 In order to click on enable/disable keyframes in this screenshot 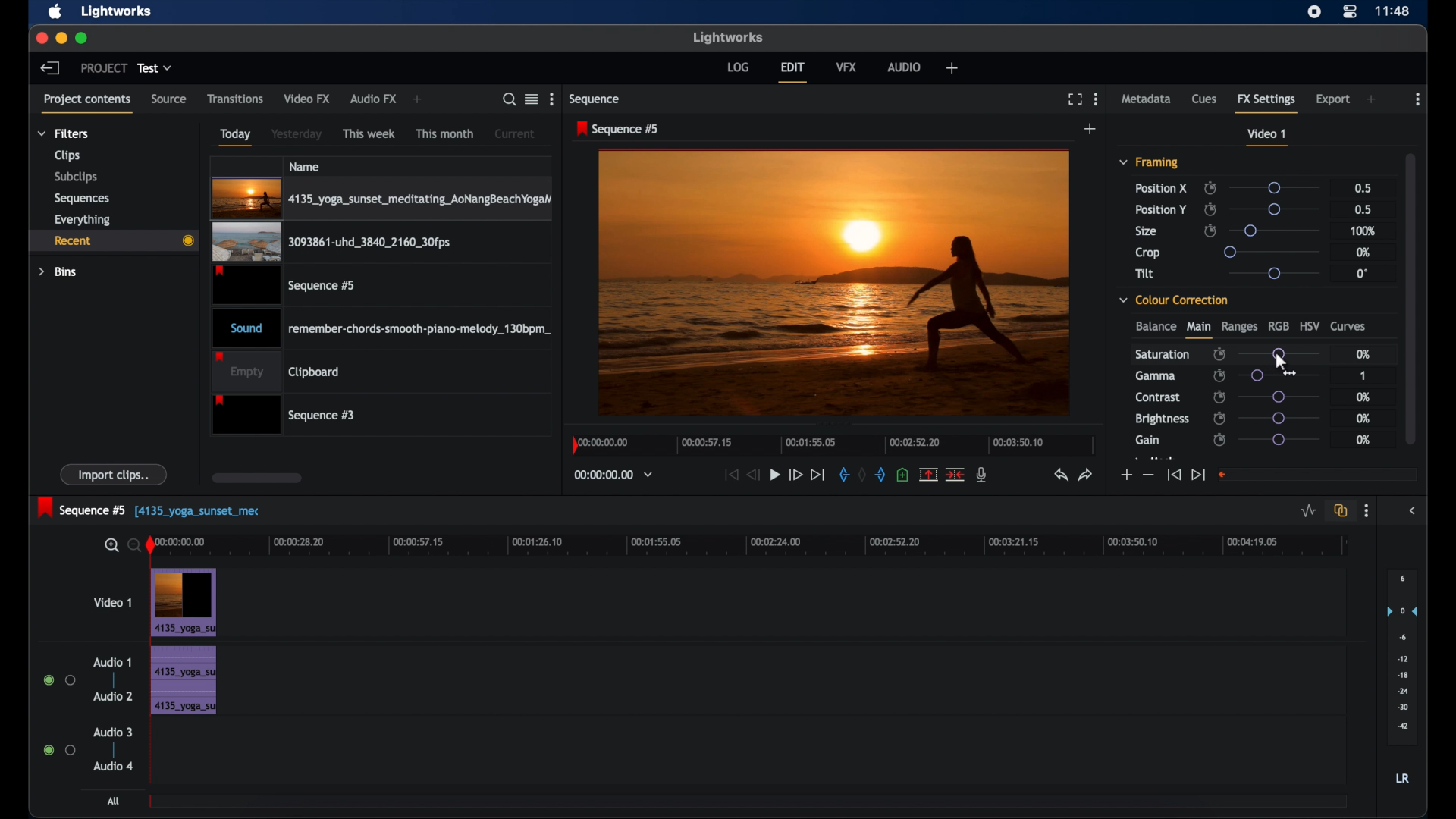, I will do `click(1219, 440)`.